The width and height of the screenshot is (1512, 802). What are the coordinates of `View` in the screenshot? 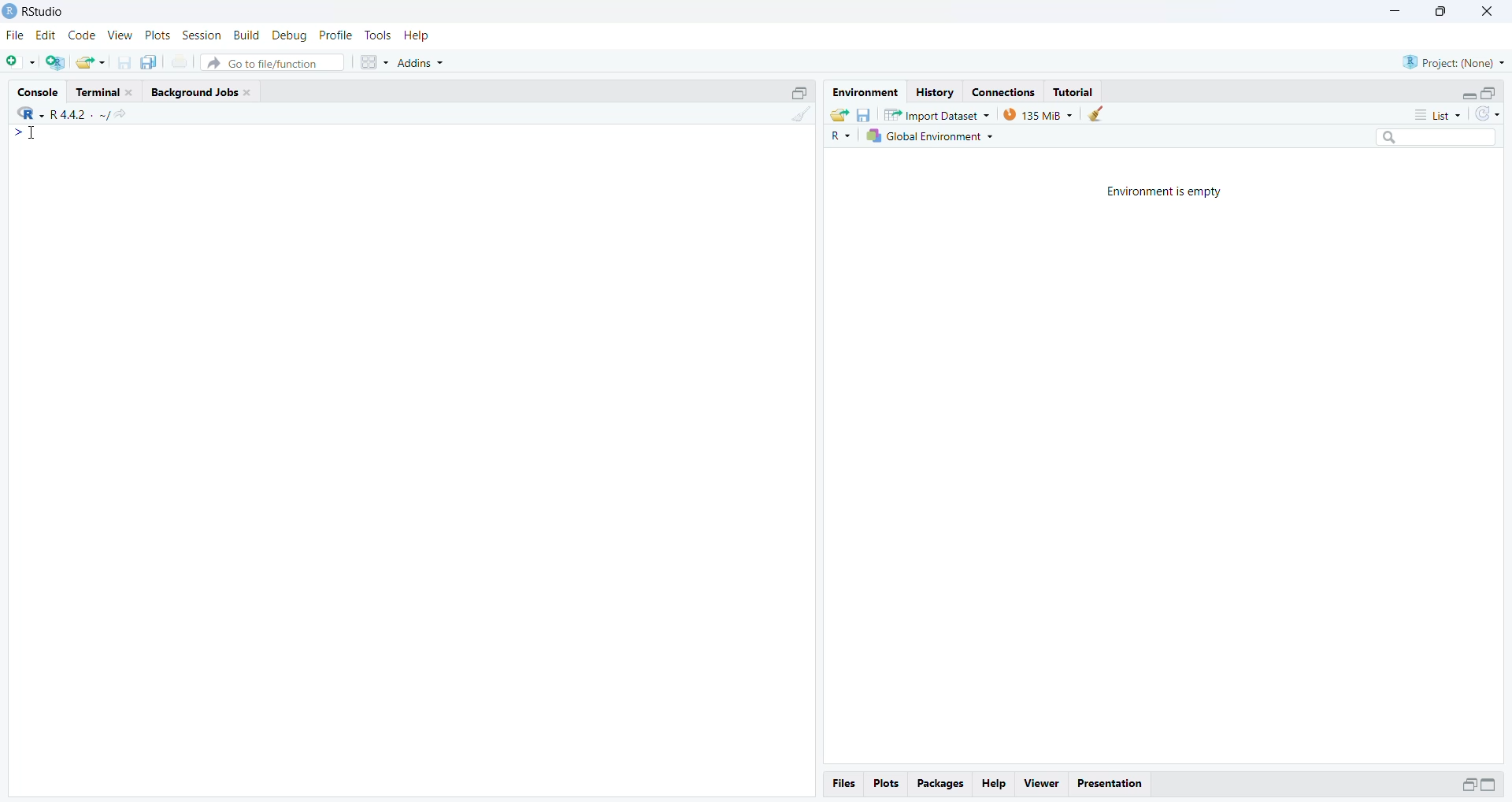 It's located at (119, 35).